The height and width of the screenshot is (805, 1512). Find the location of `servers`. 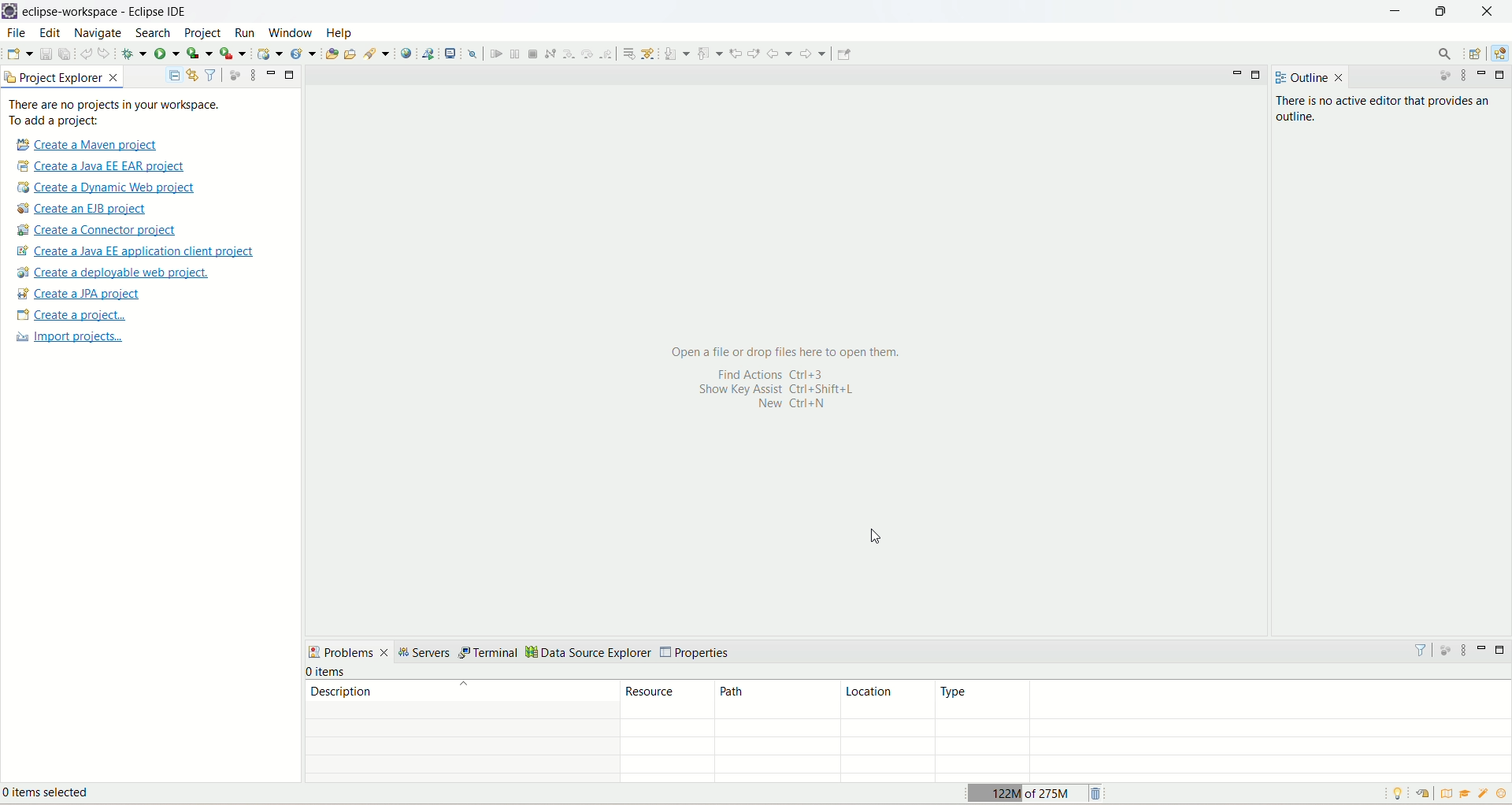

servers is located at coordinates (427, 653).